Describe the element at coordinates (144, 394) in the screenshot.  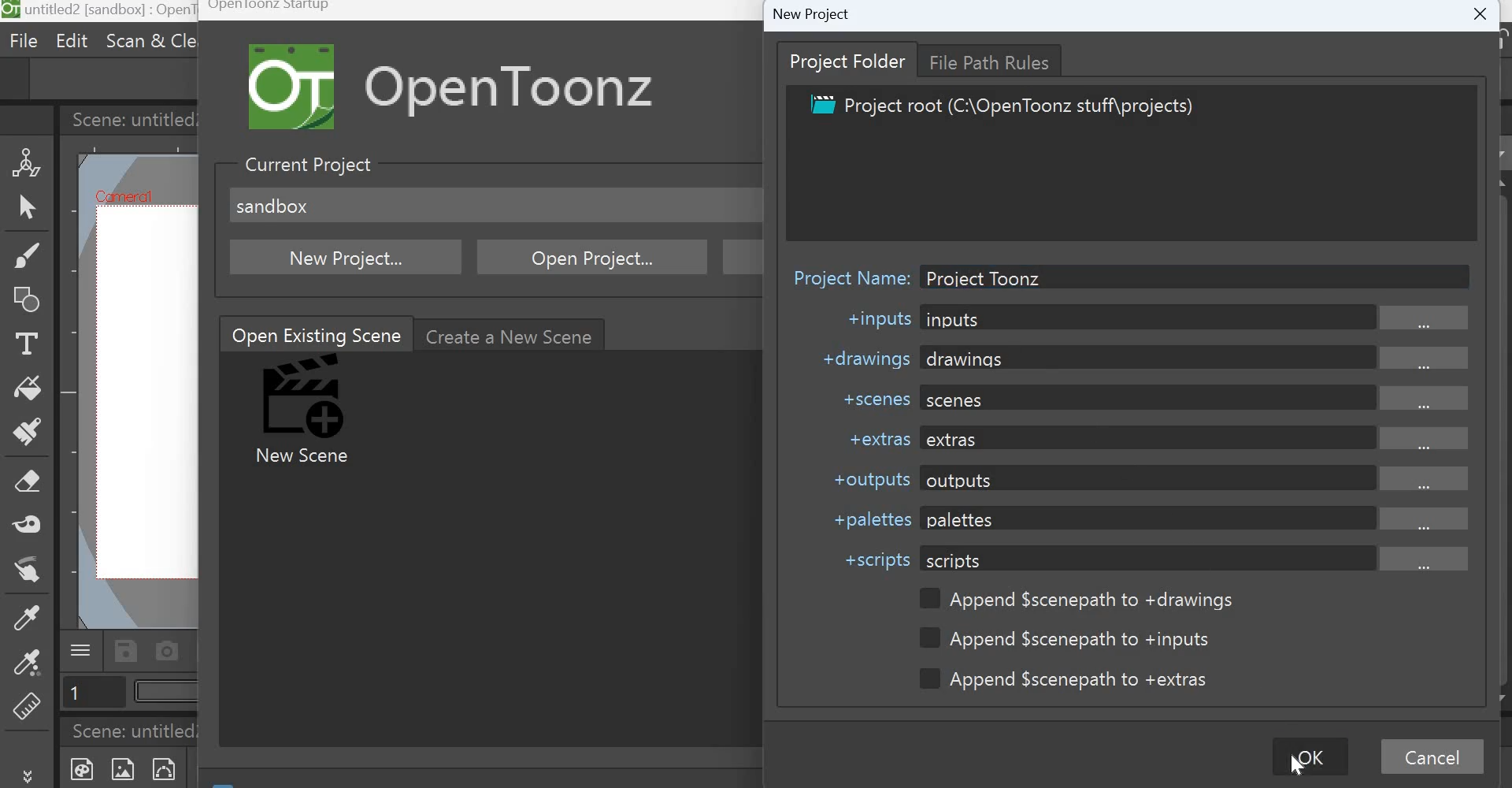
I see `working area` at that location.